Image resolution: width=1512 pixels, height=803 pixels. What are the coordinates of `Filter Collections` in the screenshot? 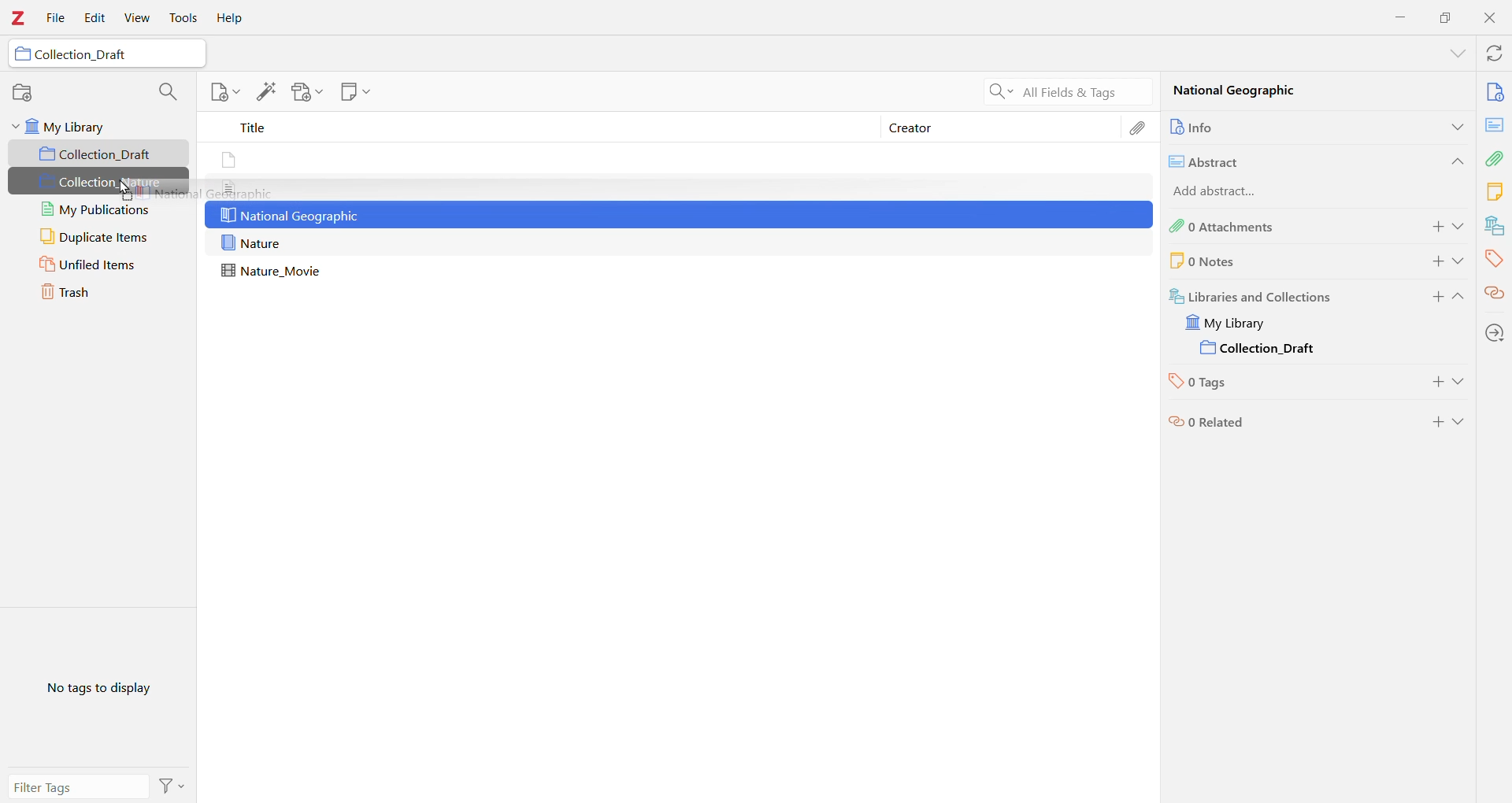 It's located at (167, 90).